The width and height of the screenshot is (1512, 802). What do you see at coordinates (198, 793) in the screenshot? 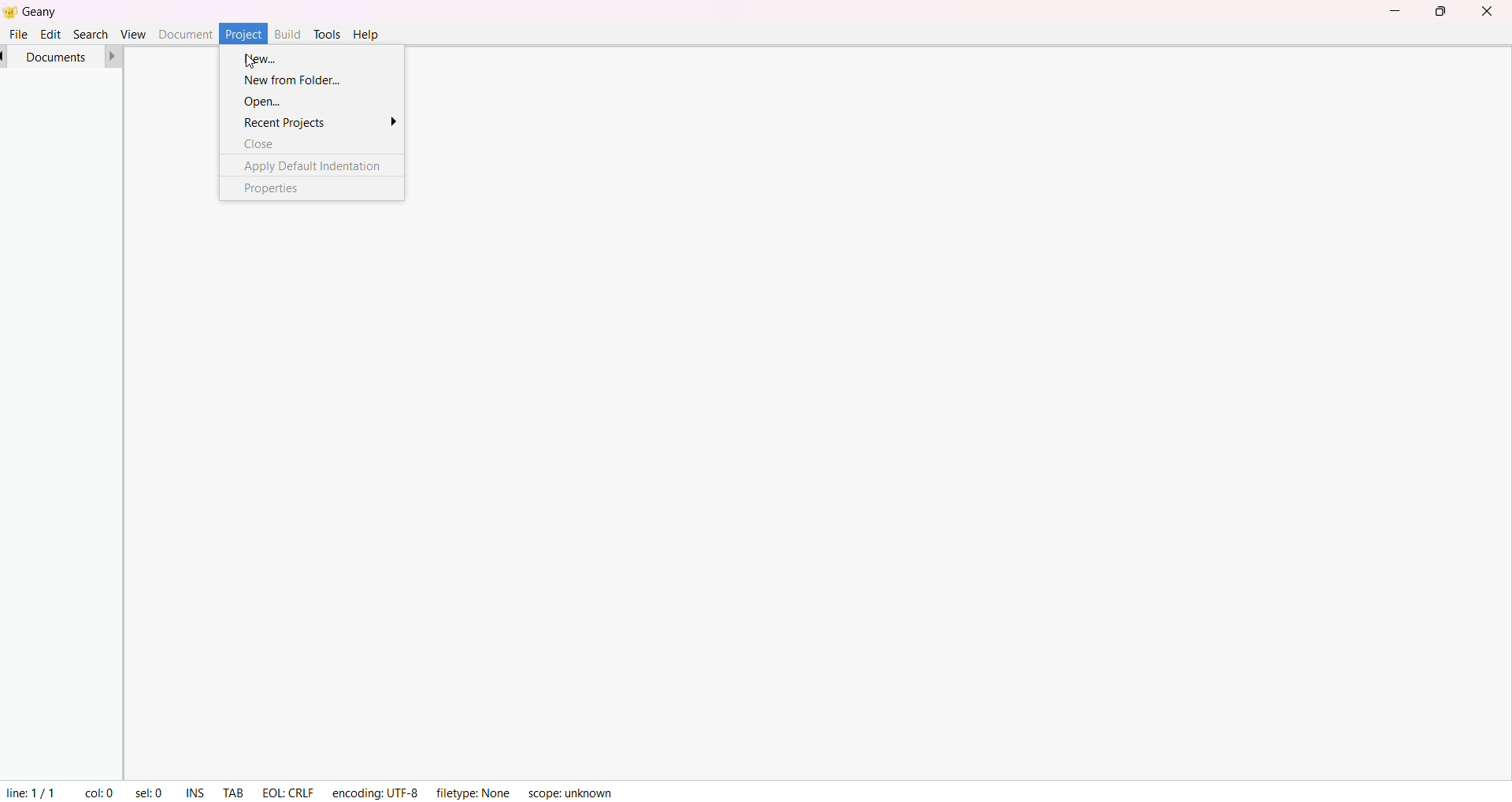
I see `ins` at bounding box center [198, 793].